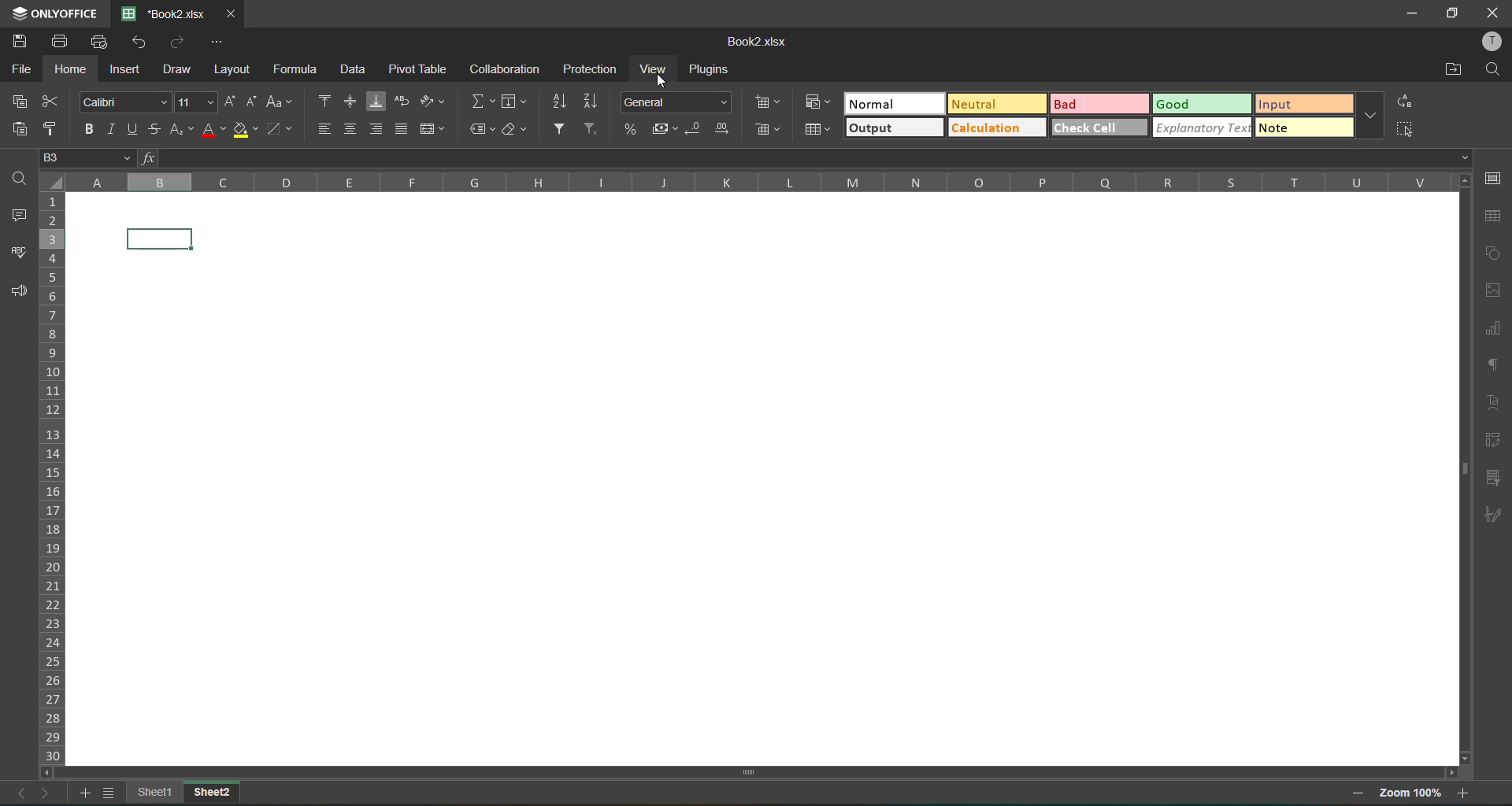 This screenshot has height=806, width=1512. Describe the element at coordinates (563, 128) in the screenshot. I see `filter` at that location.